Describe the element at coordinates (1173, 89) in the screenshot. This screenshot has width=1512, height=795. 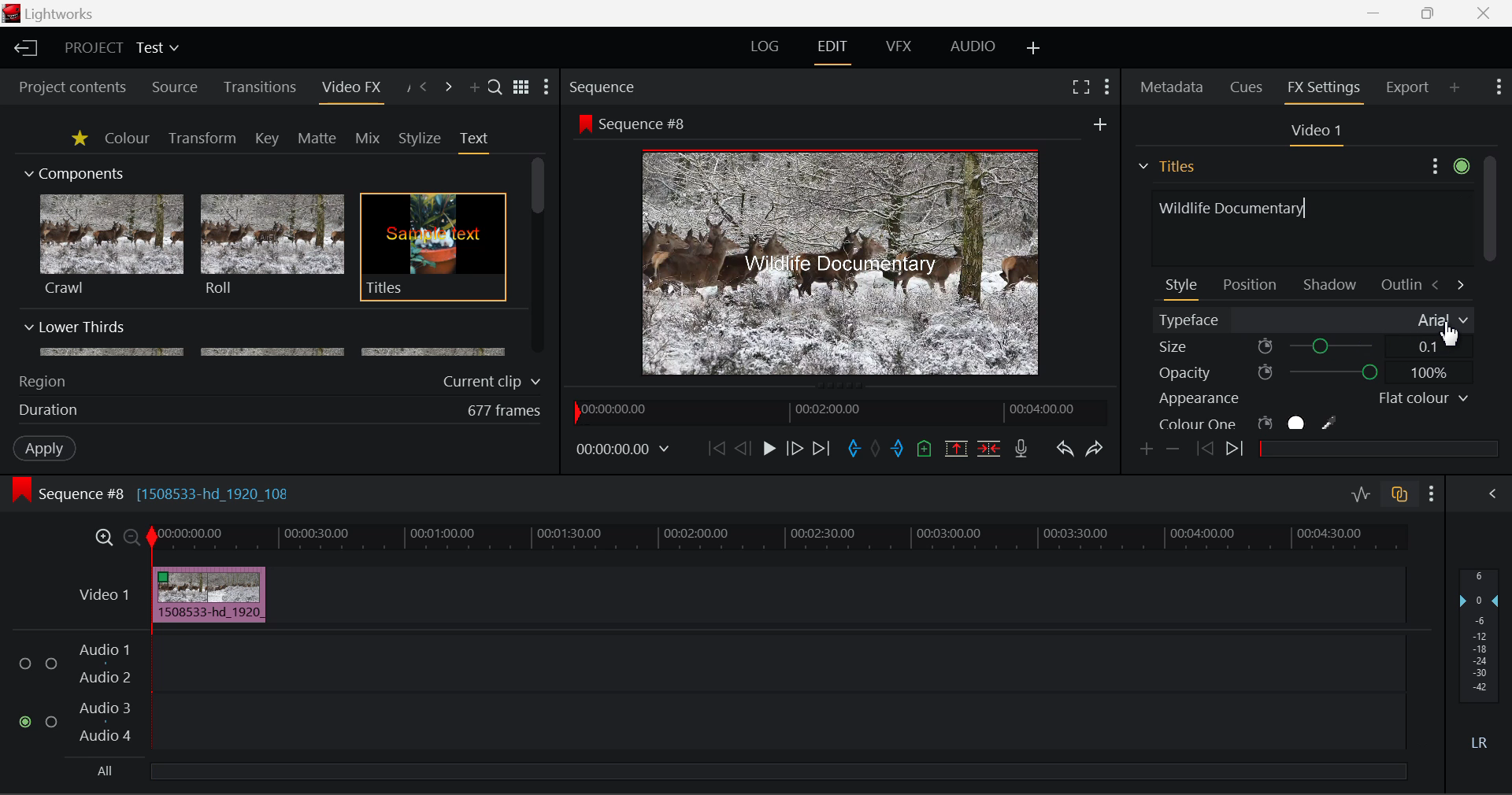
I see `Metadata` at that location.